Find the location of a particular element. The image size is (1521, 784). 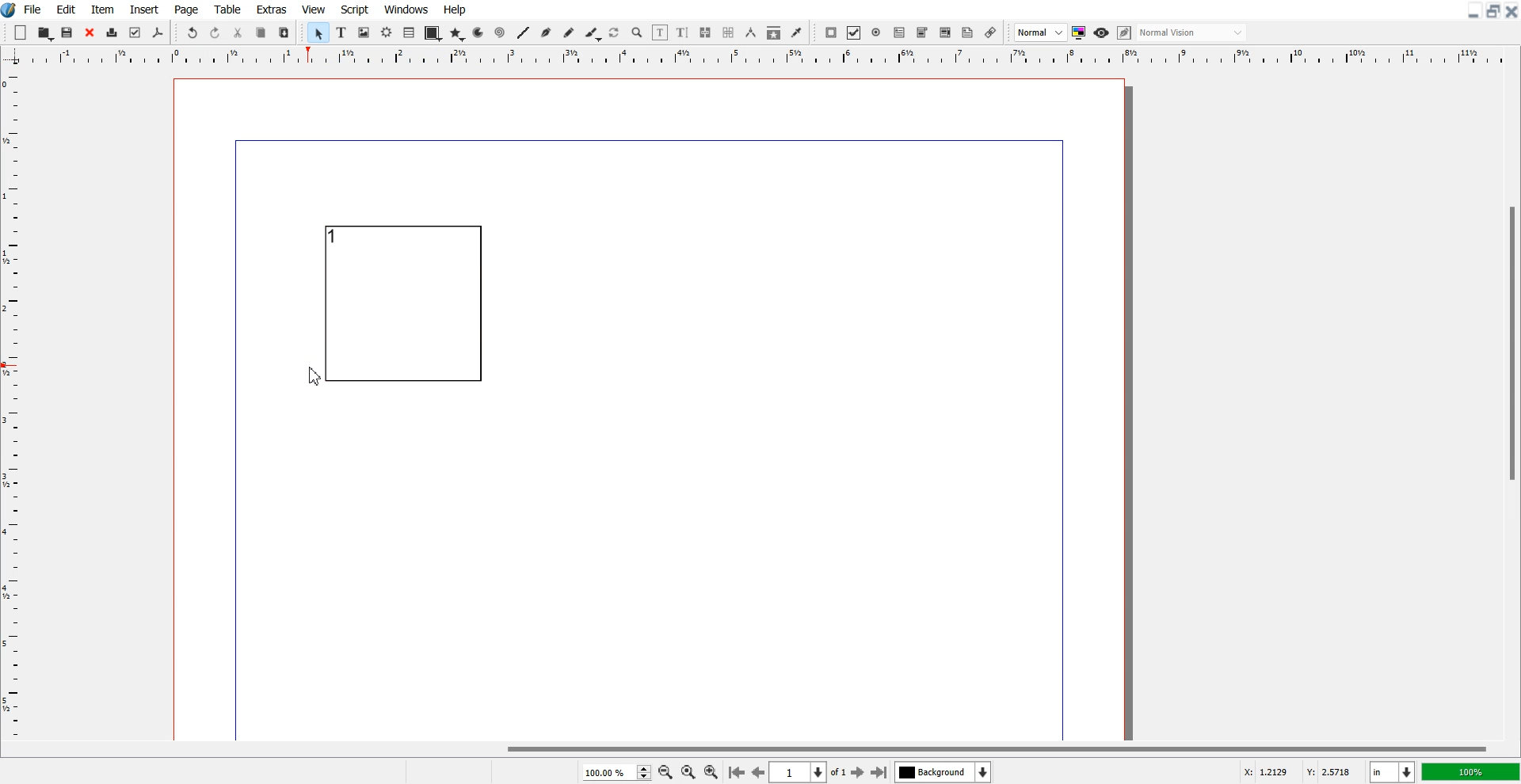

Insert is located at coordinates (143, 10).